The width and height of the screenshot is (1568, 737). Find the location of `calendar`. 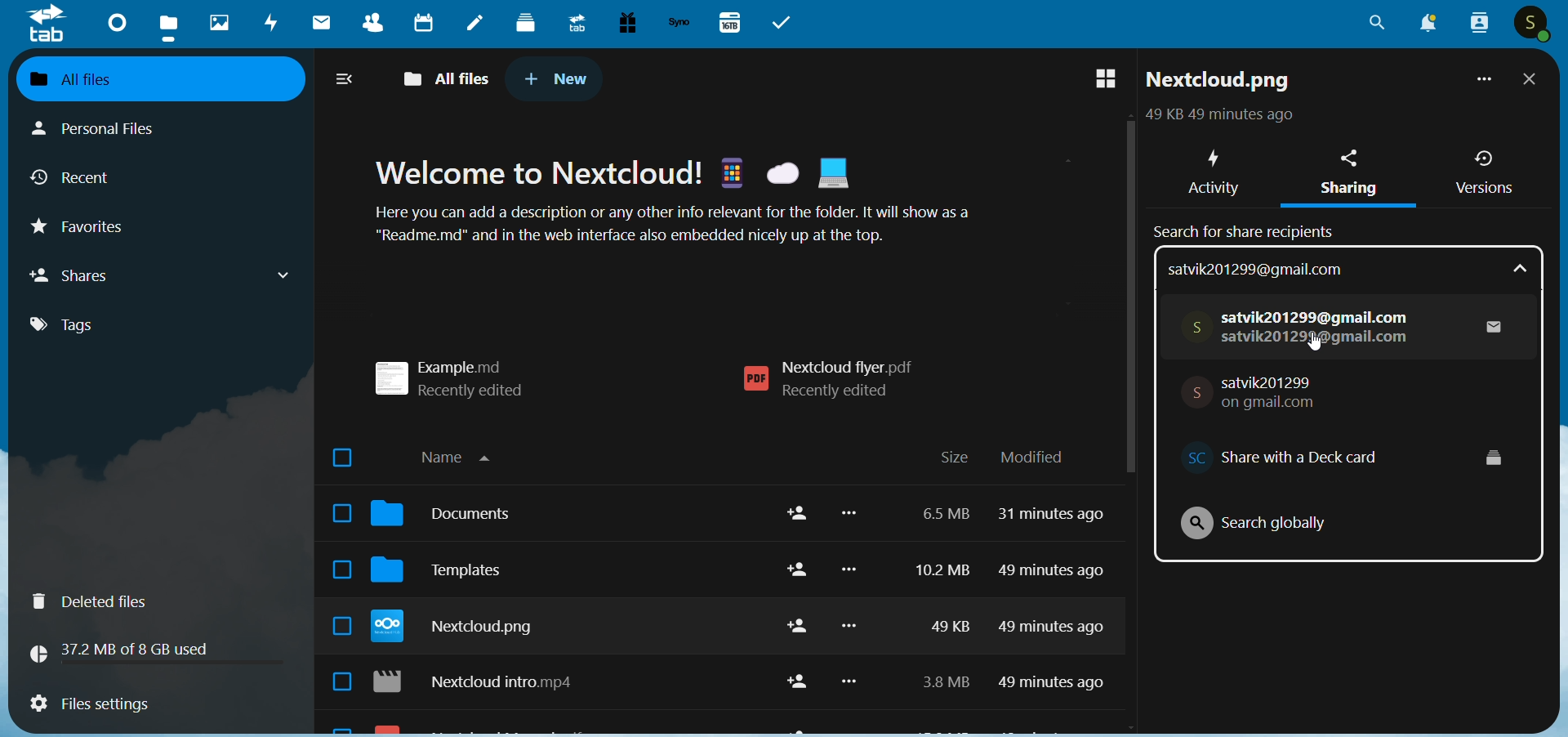

calendar is located at coordinates (421, 25).